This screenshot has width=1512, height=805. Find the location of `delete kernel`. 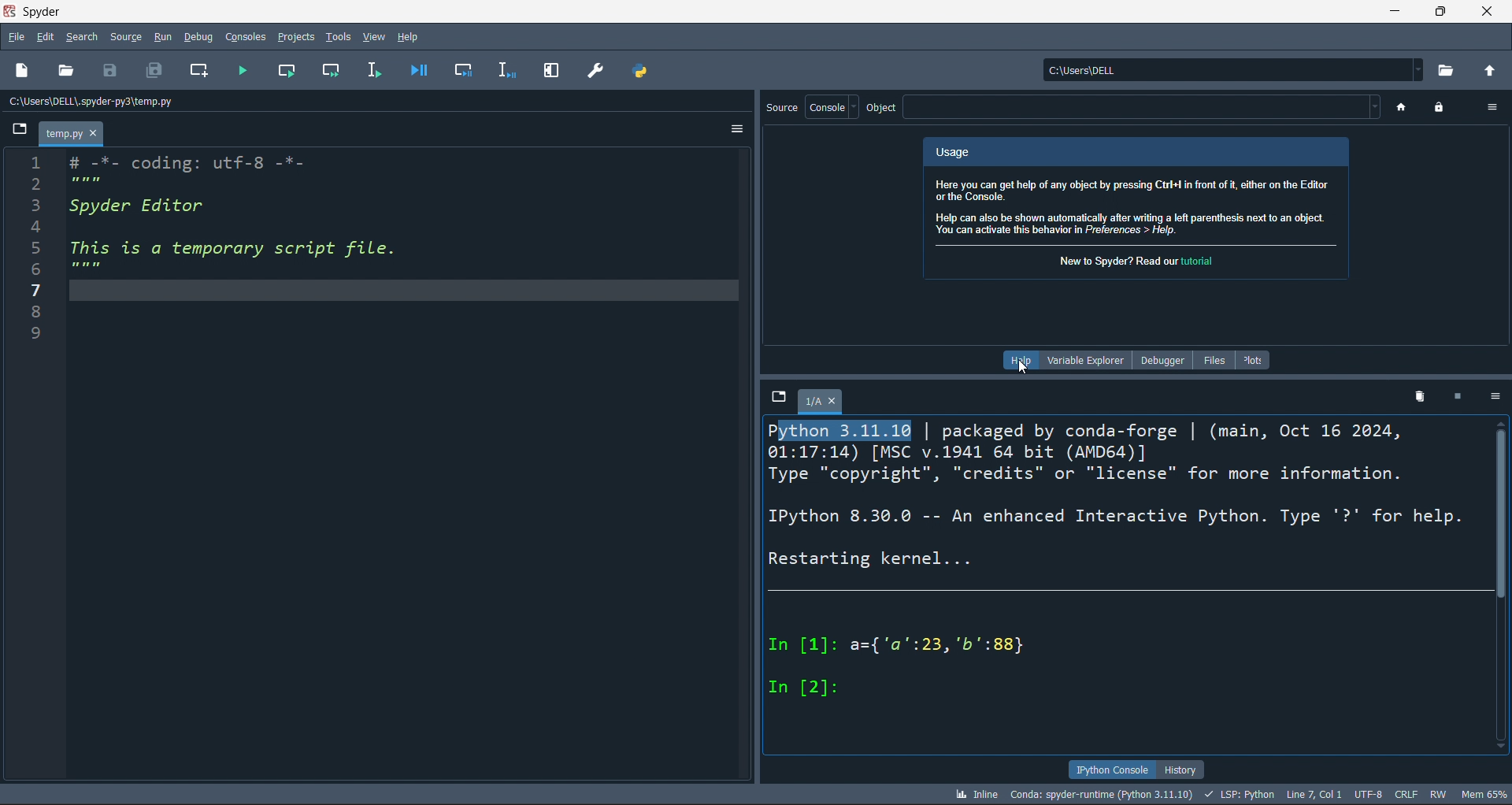

delete kernel is located at coordinates (1421, 397).